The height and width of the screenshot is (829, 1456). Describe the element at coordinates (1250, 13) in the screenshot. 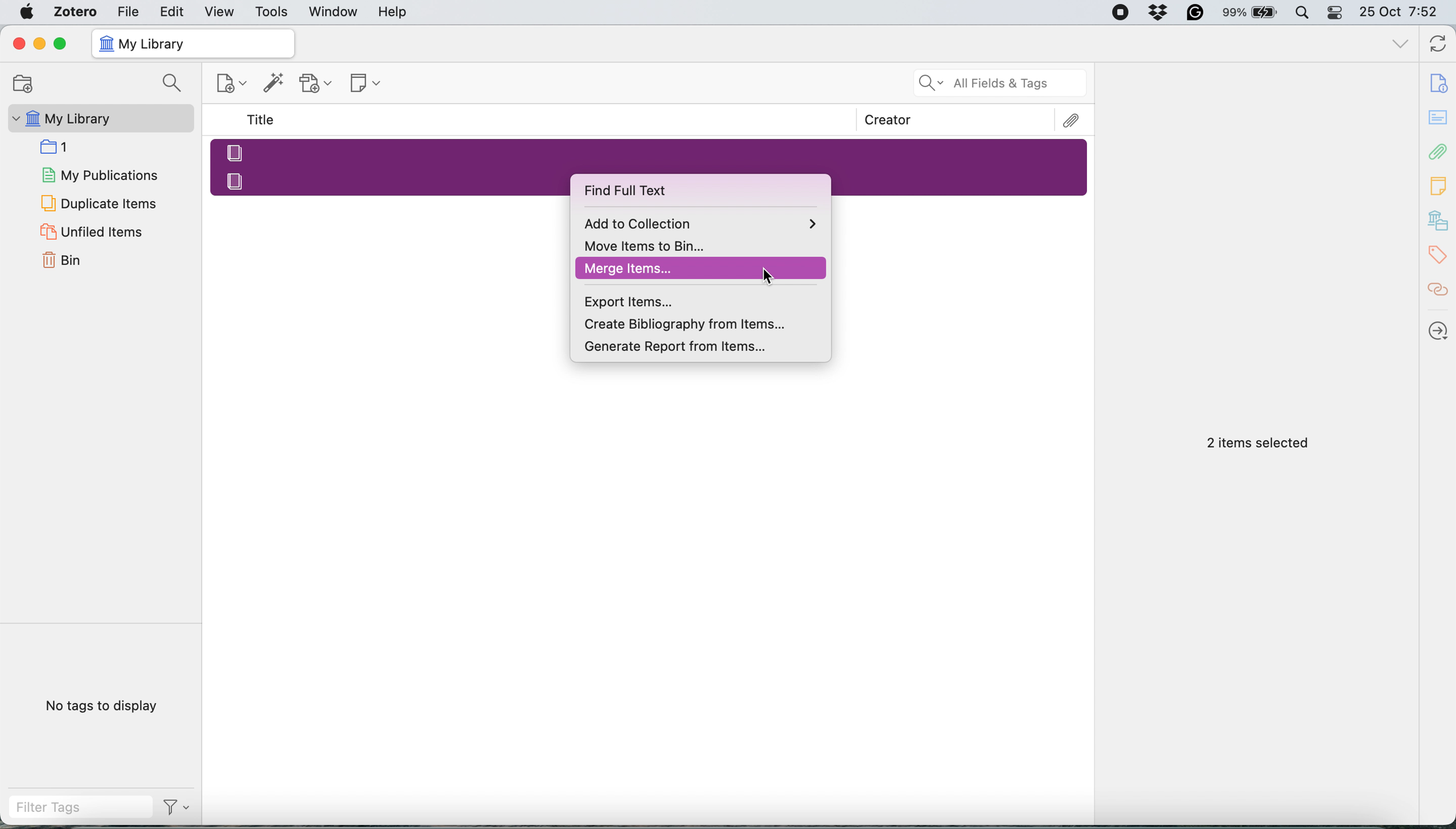

I see `99% Battery` at that location.